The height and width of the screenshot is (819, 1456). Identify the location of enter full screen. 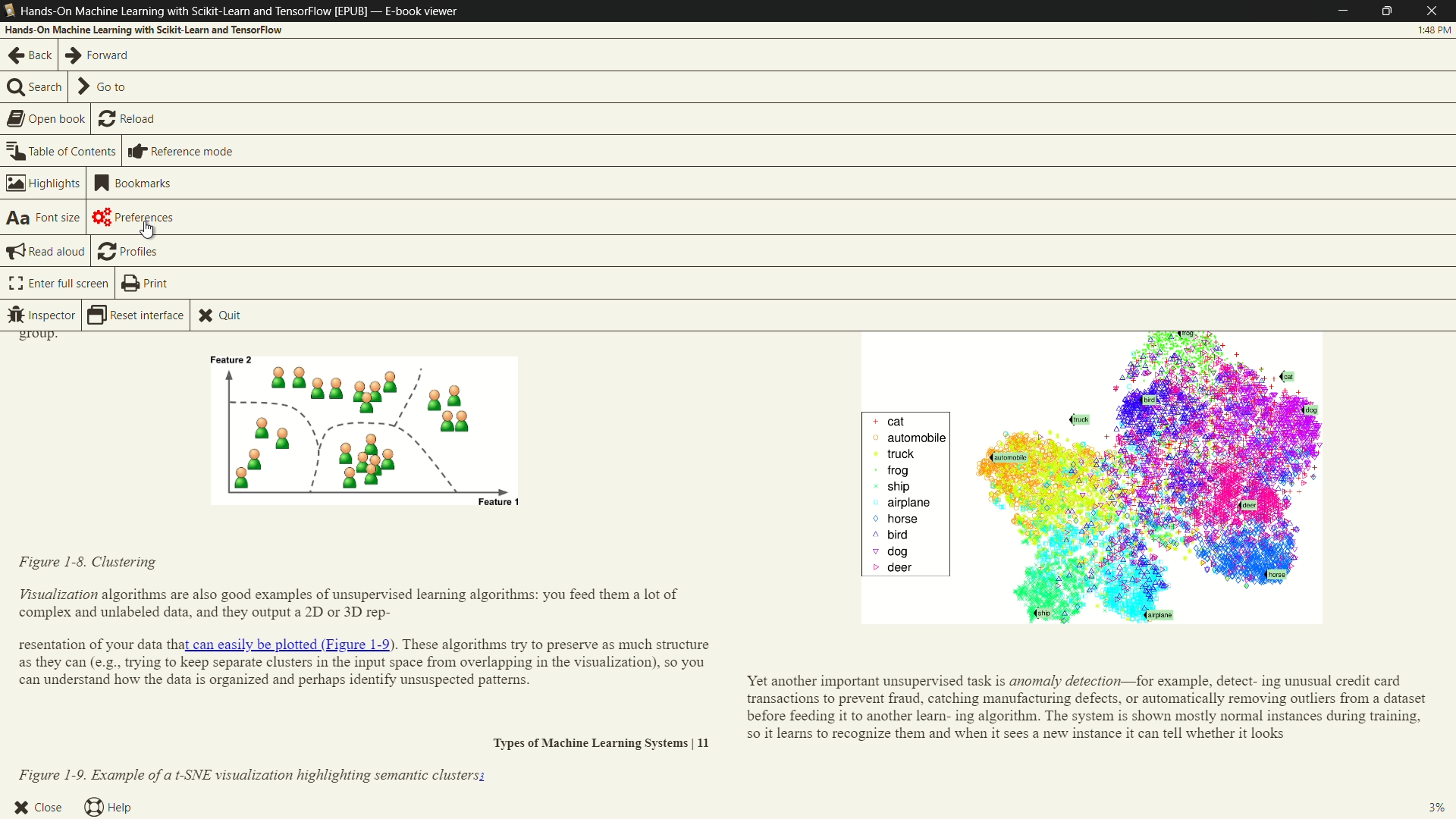
(58, 284).